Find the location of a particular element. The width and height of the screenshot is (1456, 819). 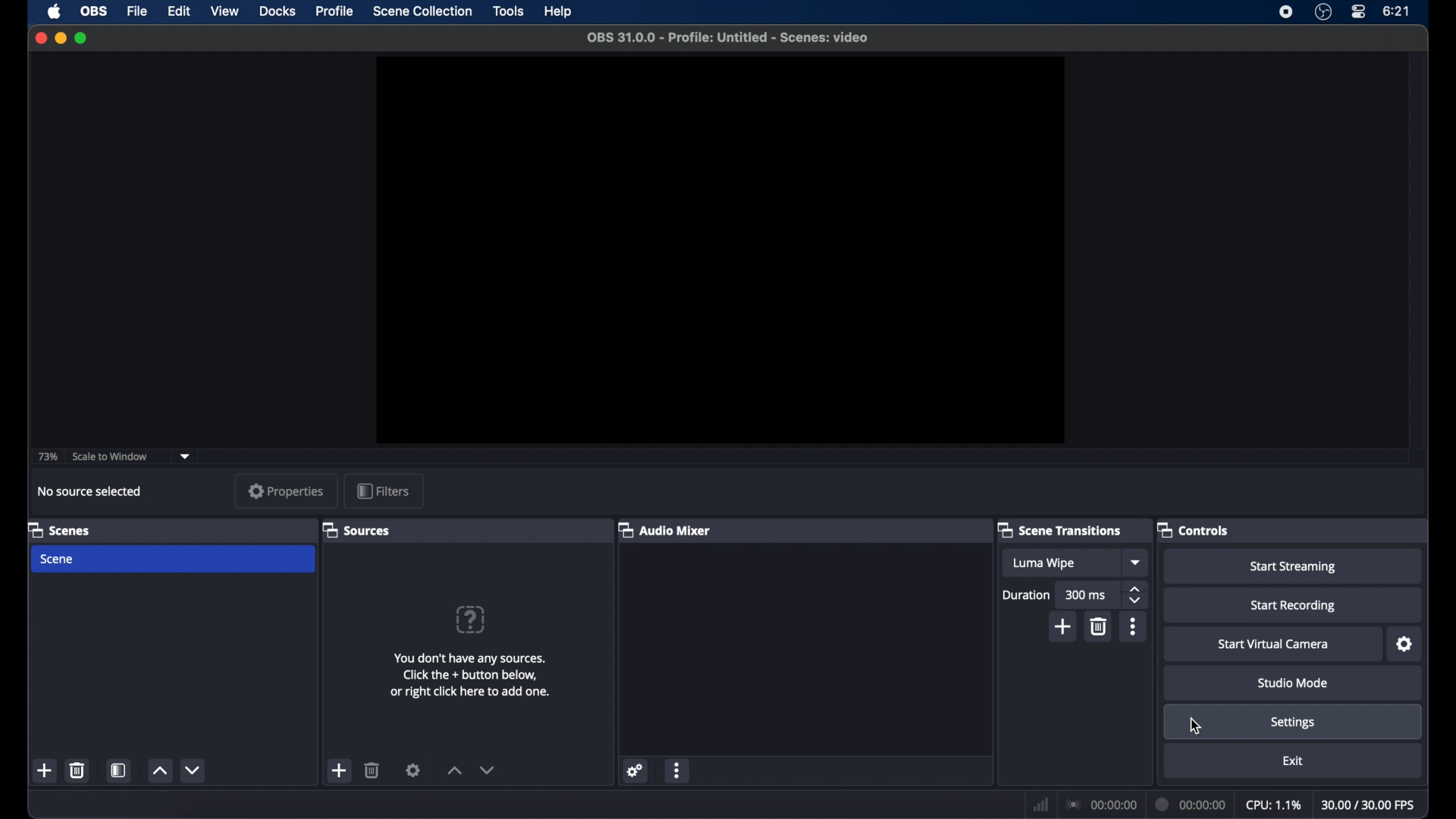

fps is located at coordinates (1370, 805).